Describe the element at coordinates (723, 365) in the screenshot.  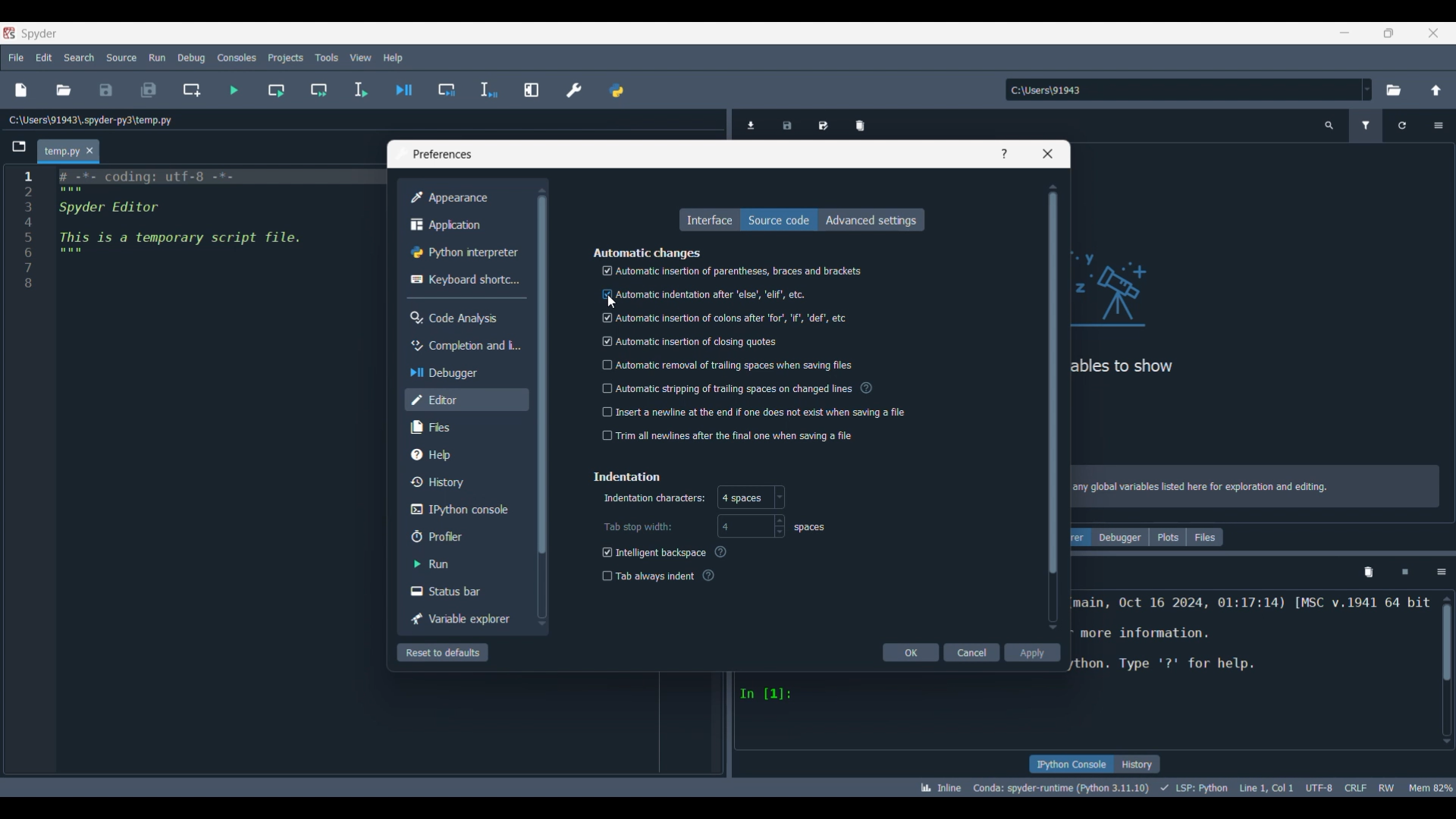
I see `| Automatic removal of trailing spaces when saving files` at that location.